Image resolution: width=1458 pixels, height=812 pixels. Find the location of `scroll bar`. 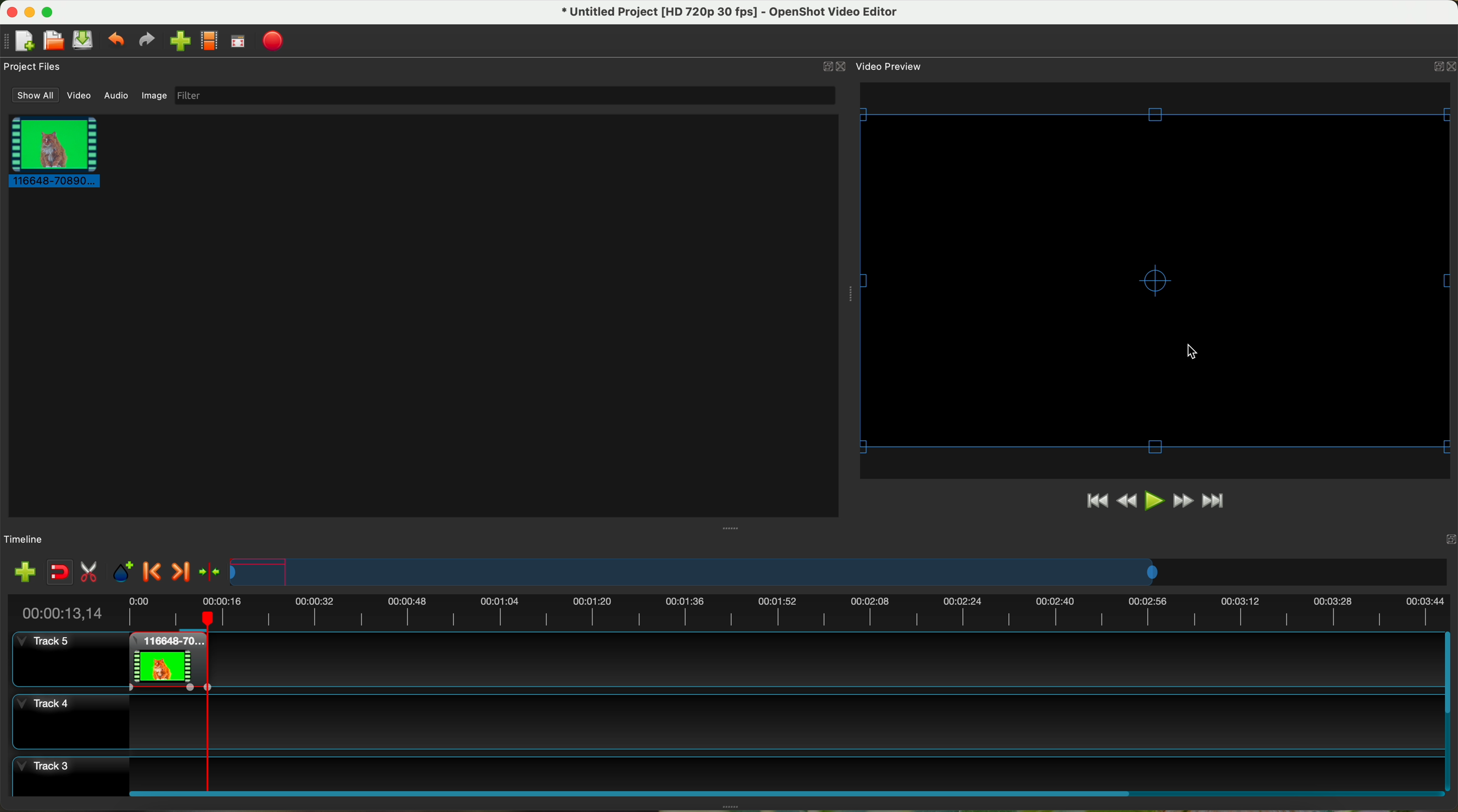

scroll bar is located at coordinates (784, 792).